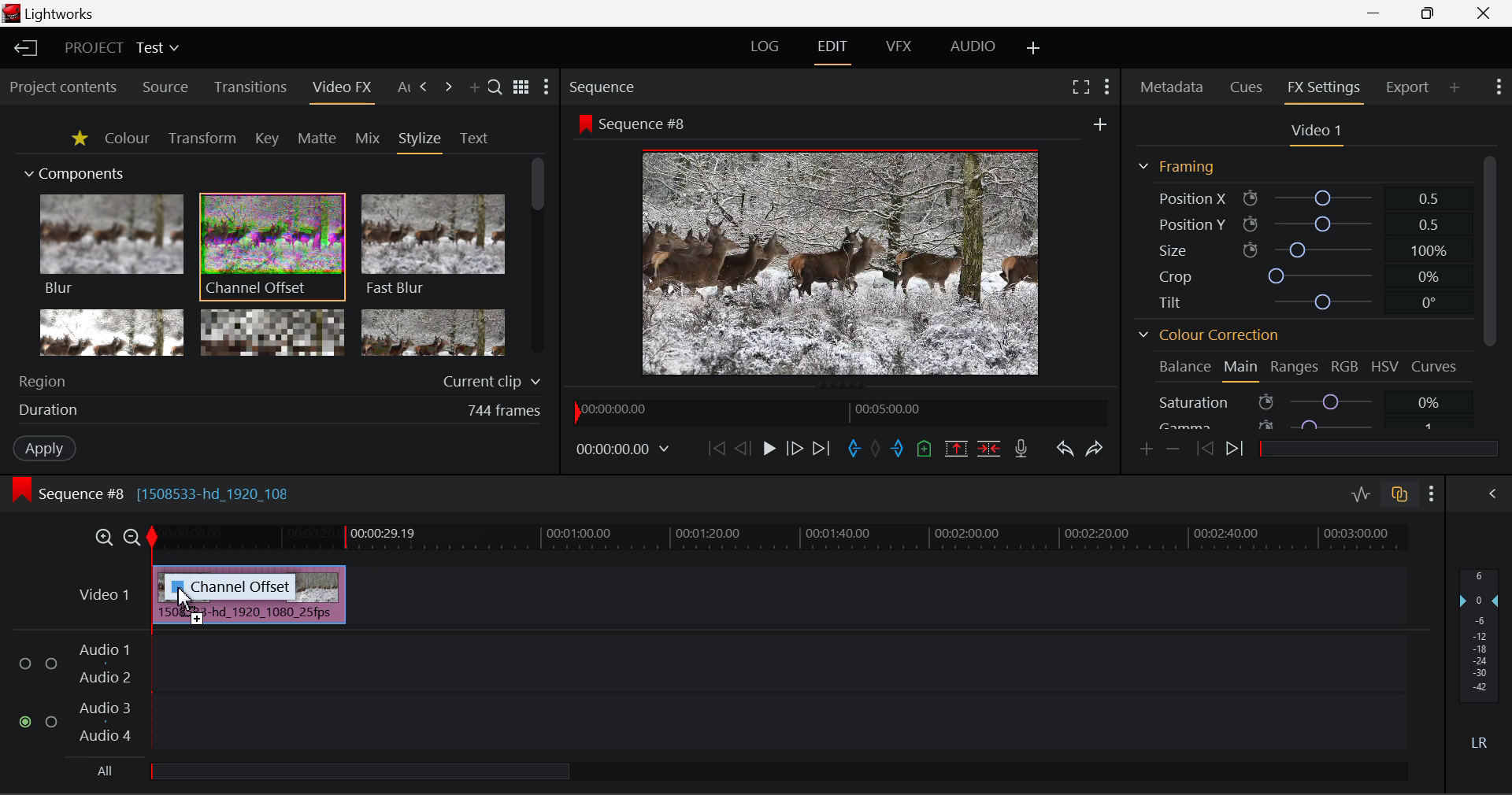 This screenshot has height=795, width=1512. I want to click on Show Settings, so click(1498, 87).